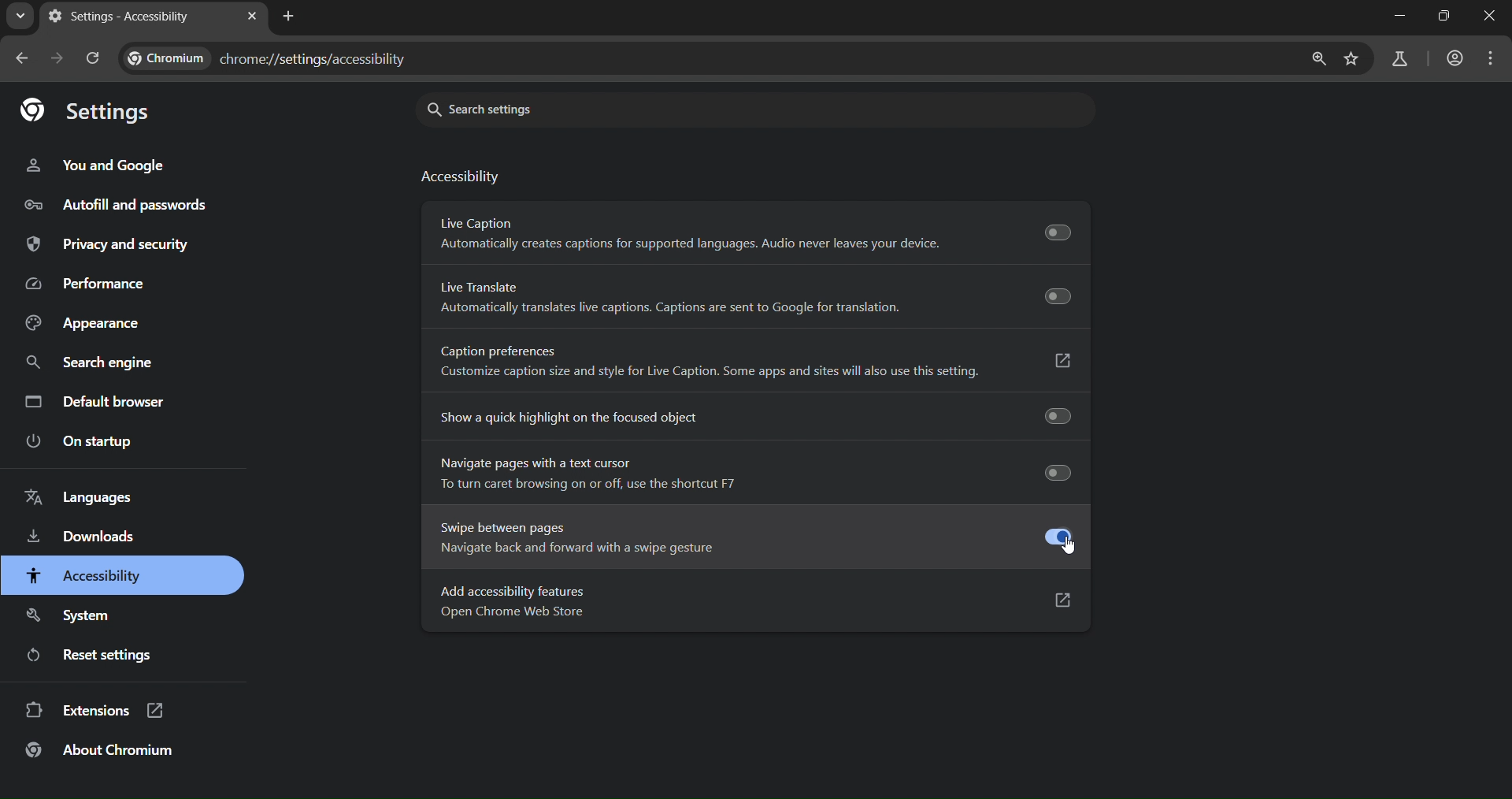 The image size is (1512, 799). What do you see at coordinates (18, 18) in the screenshot?
I see `search tabs` at bounding box center [18, 18].